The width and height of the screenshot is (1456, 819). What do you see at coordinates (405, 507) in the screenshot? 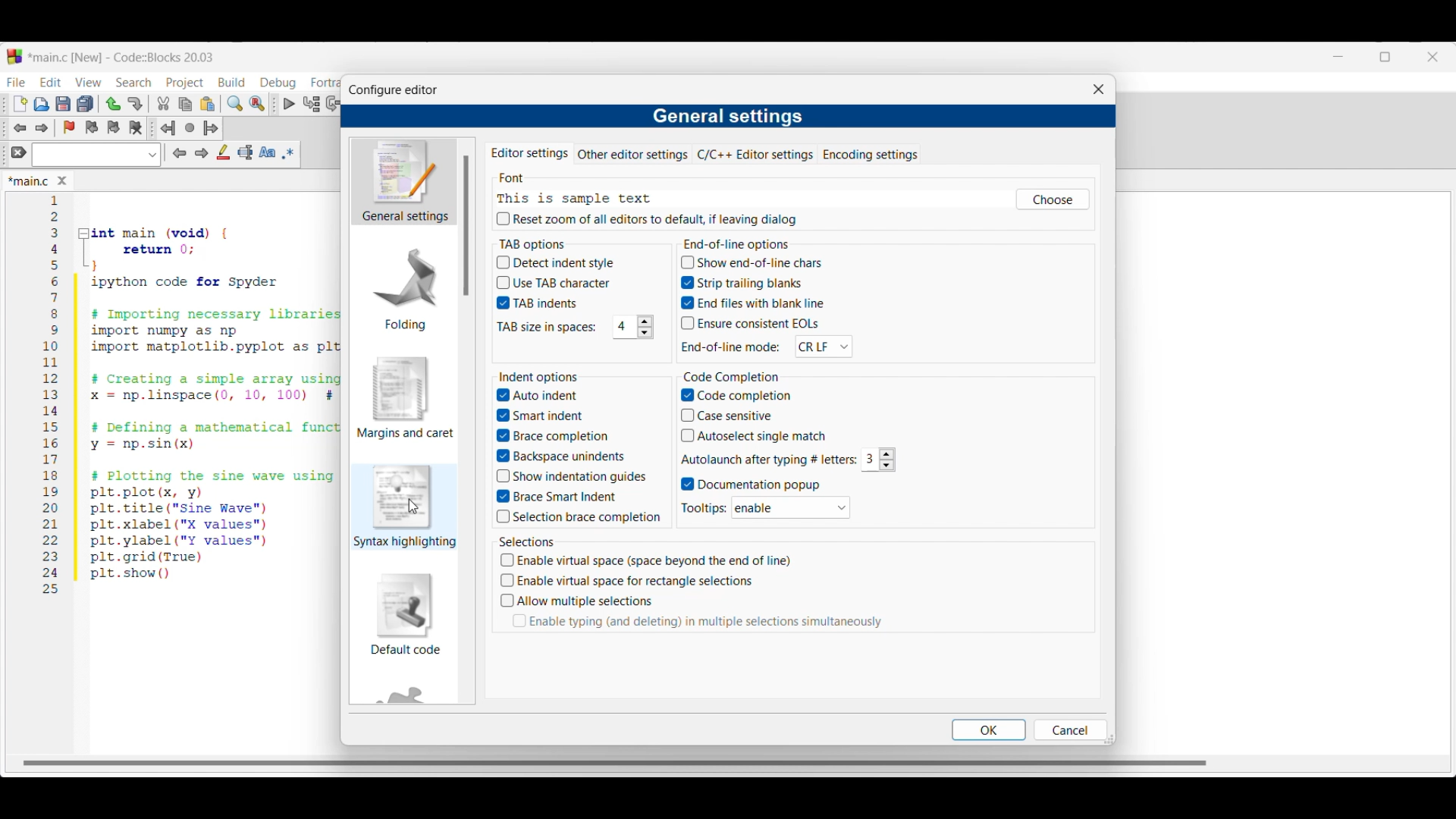
I see `Syntax highlighting, highlighted by cursor` at bounding box center [405, 507].